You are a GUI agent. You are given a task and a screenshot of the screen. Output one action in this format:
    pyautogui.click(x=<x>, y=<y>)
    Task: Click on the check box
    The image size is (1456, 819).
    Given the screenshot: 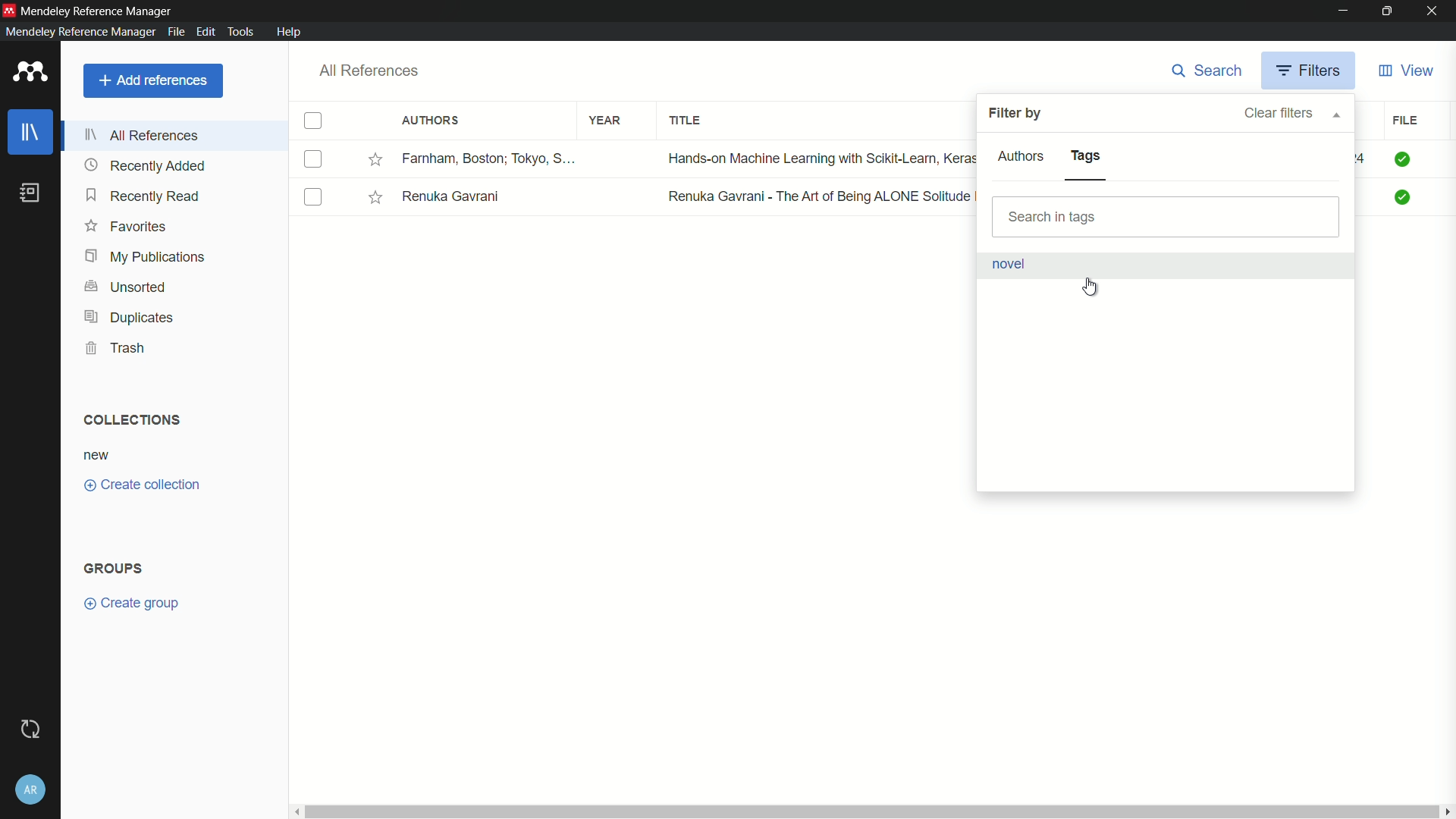 What is the action you would take?
    pyautogui.click(x=315, y=159)
    